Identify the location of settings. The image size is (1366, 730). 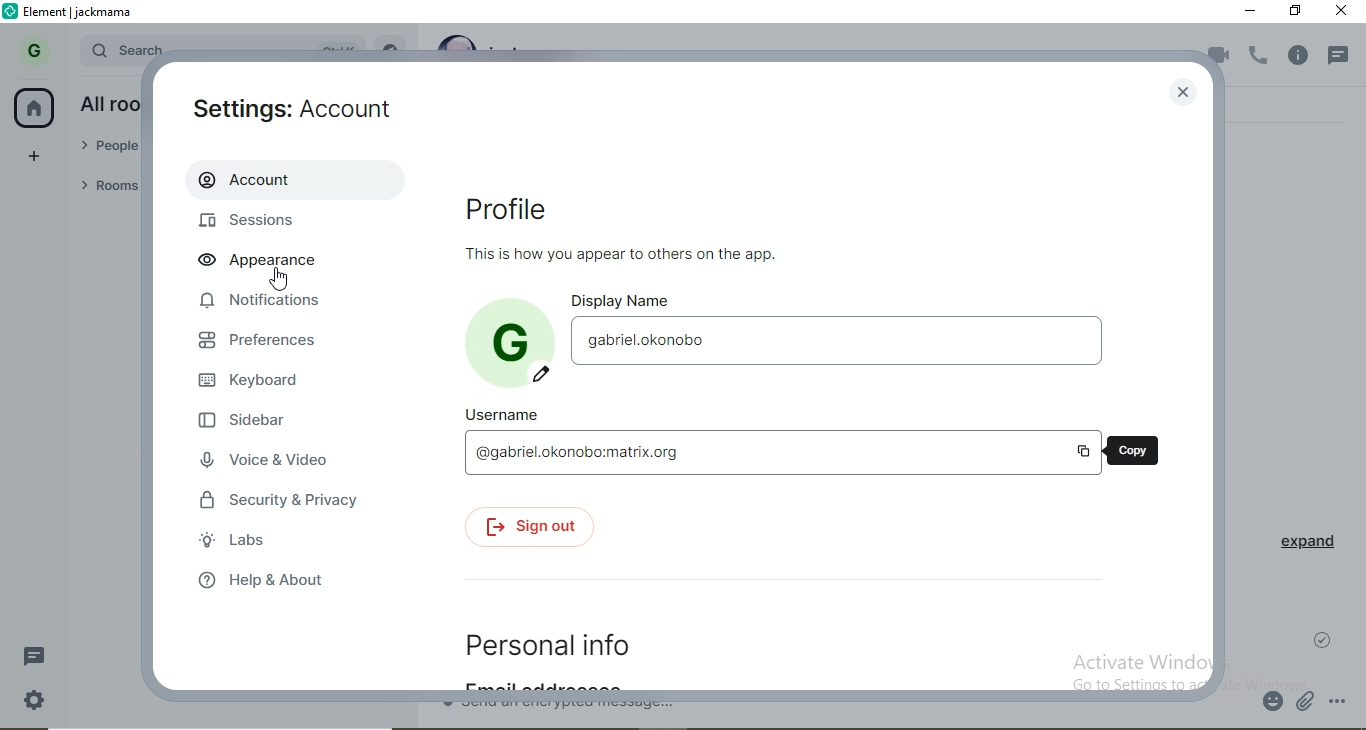
(34, 700).